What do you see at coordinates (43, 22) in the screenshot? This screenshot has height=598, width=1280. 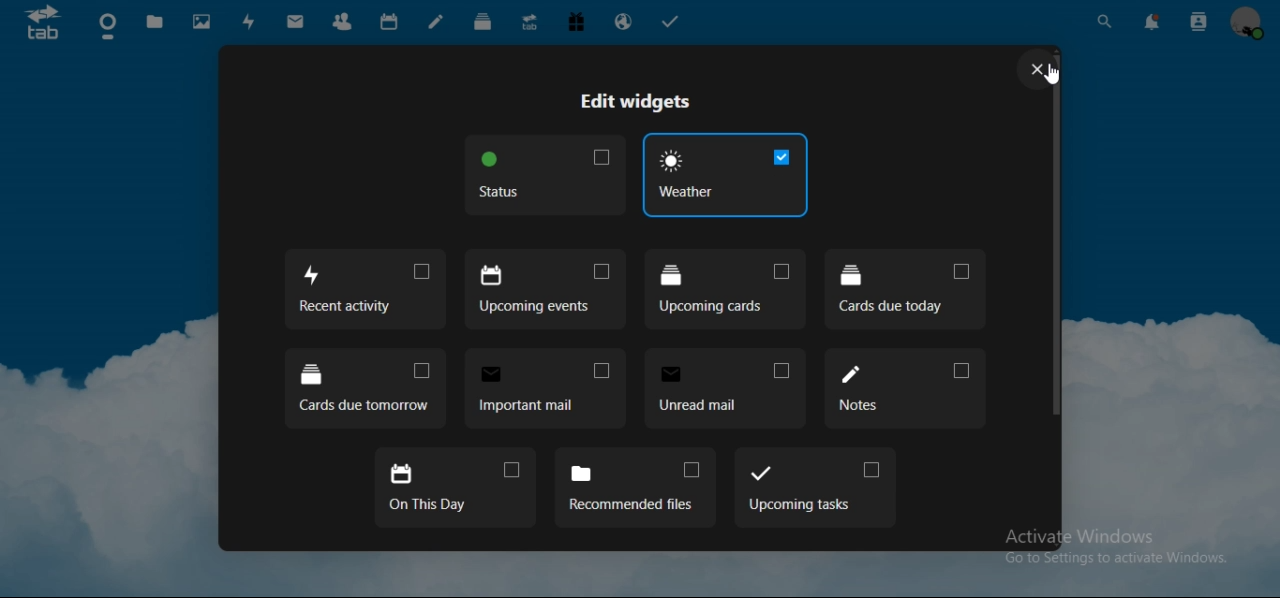 I see `icon` at bounding box center [43, 22].